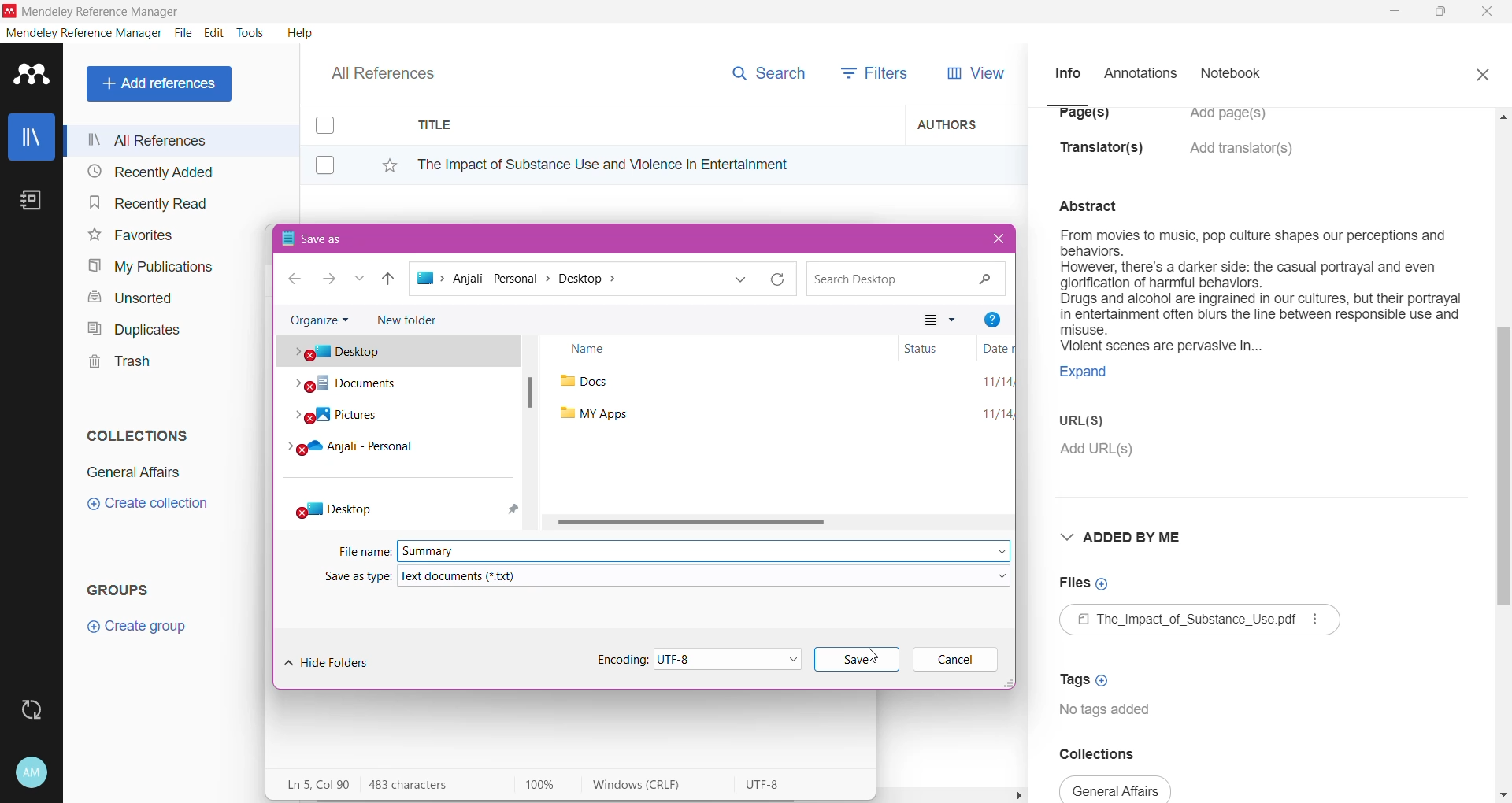 The height and width of the screenshot is (803, 1512). What do you see at coordinates (1243, 157) in the screenshot?
I see `Click to Add translators` at bounding box center [1243, 157].